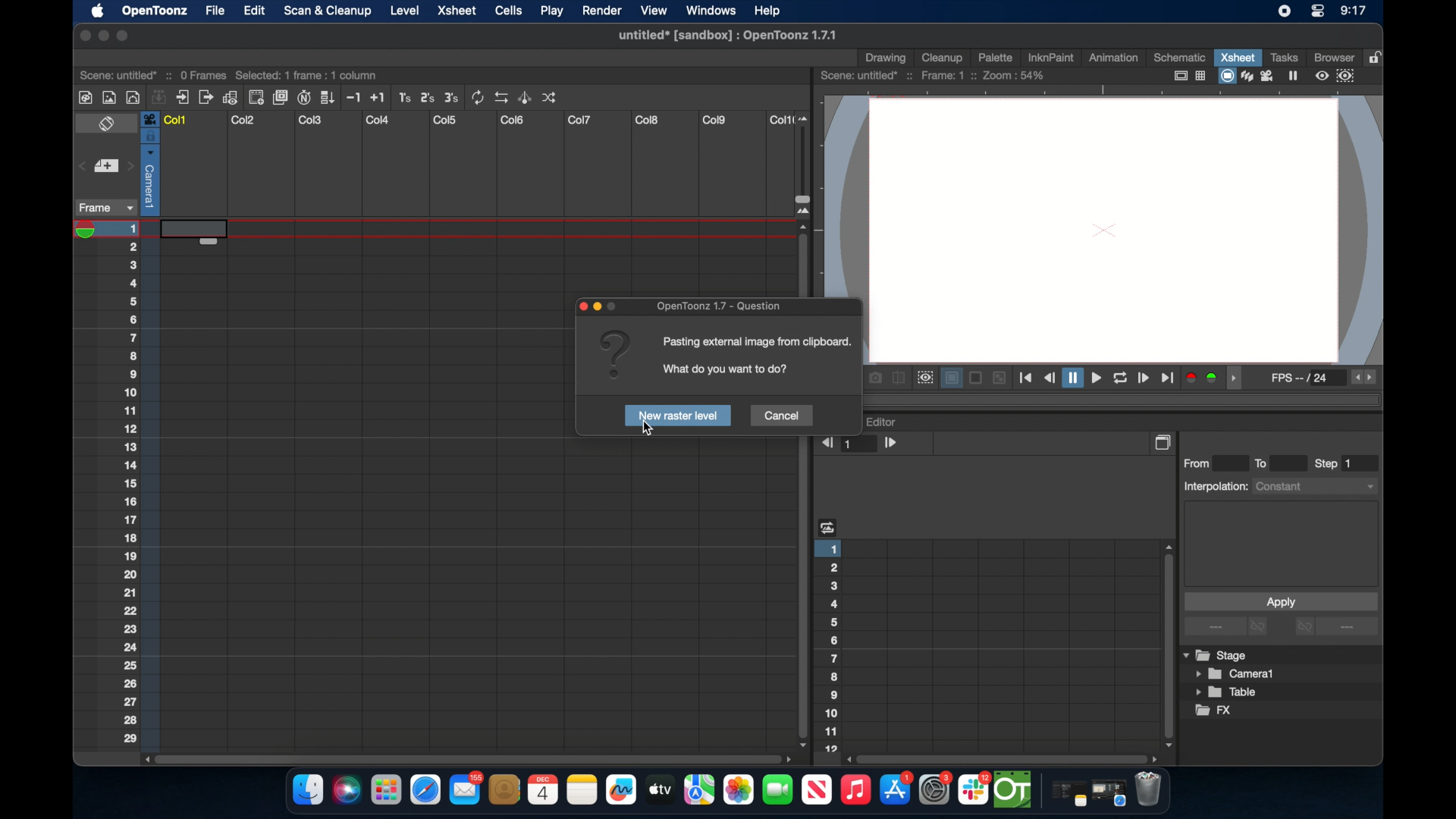 This screenshot has height=819, width=1456. Describe the element at coordinates (1365, 378) in the screenshot. I see `fps` at that location.